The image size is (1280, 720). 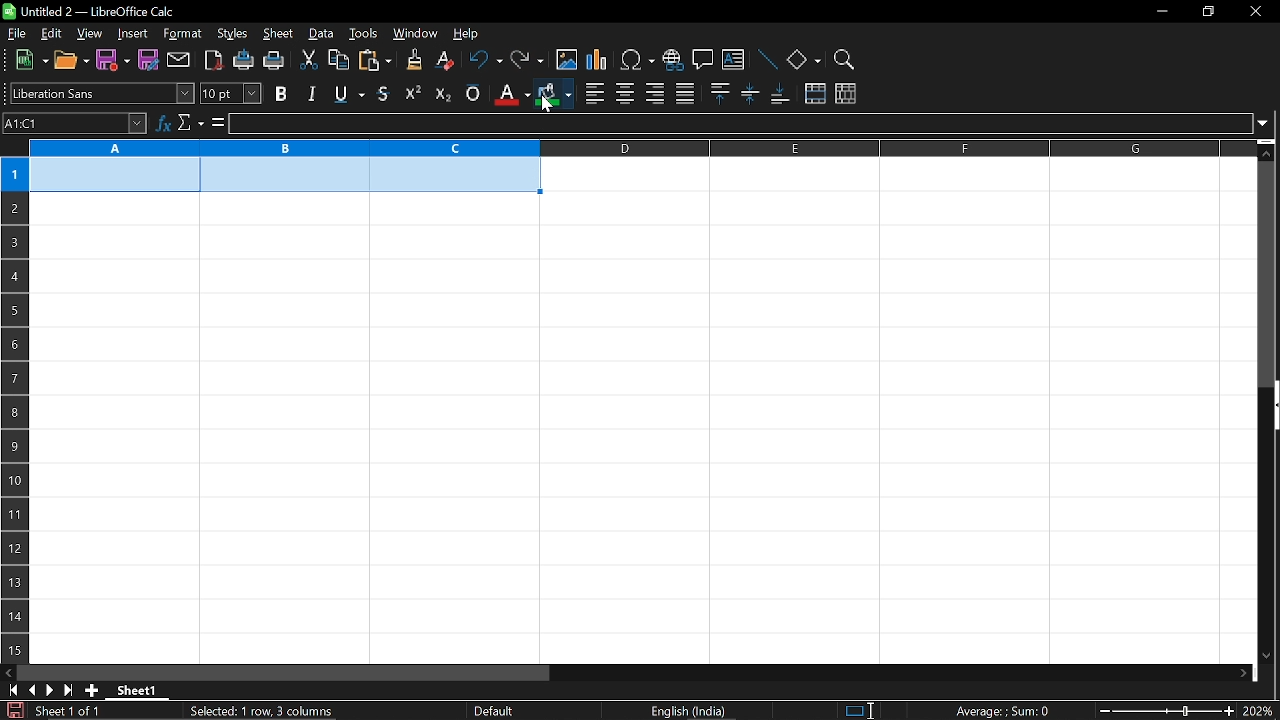 What do you see at coordinates (413, 93) in the screenshot?
I see `supercript` at bounding box center [413, 93].